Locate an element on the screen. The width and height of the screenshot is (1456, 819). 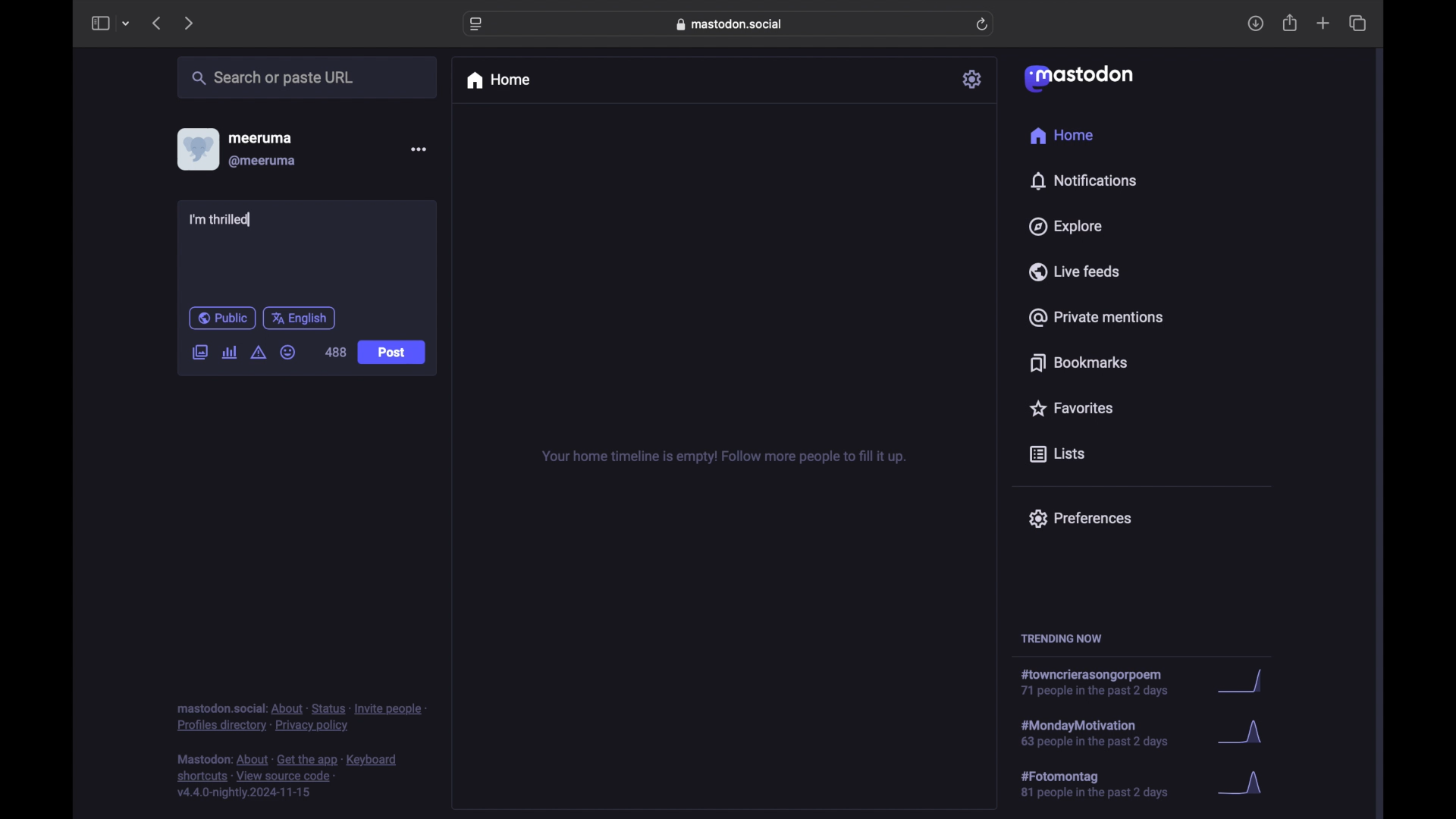
trending now is located at coordinates (1061, 639).